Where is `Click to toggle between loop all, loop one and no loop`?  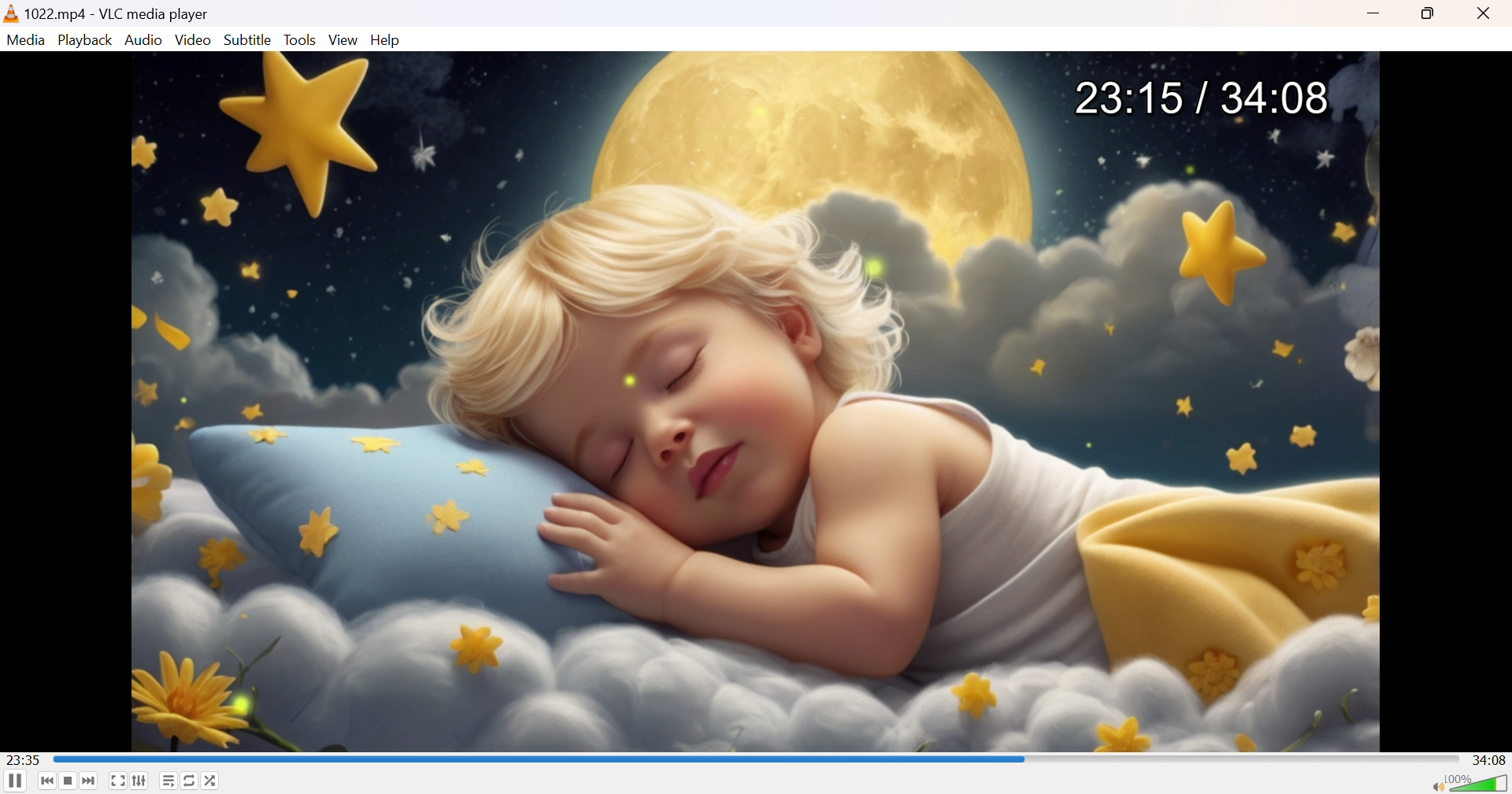
Click to toggle between loop all, loop one and no loop is located at coordinates (190, 781).